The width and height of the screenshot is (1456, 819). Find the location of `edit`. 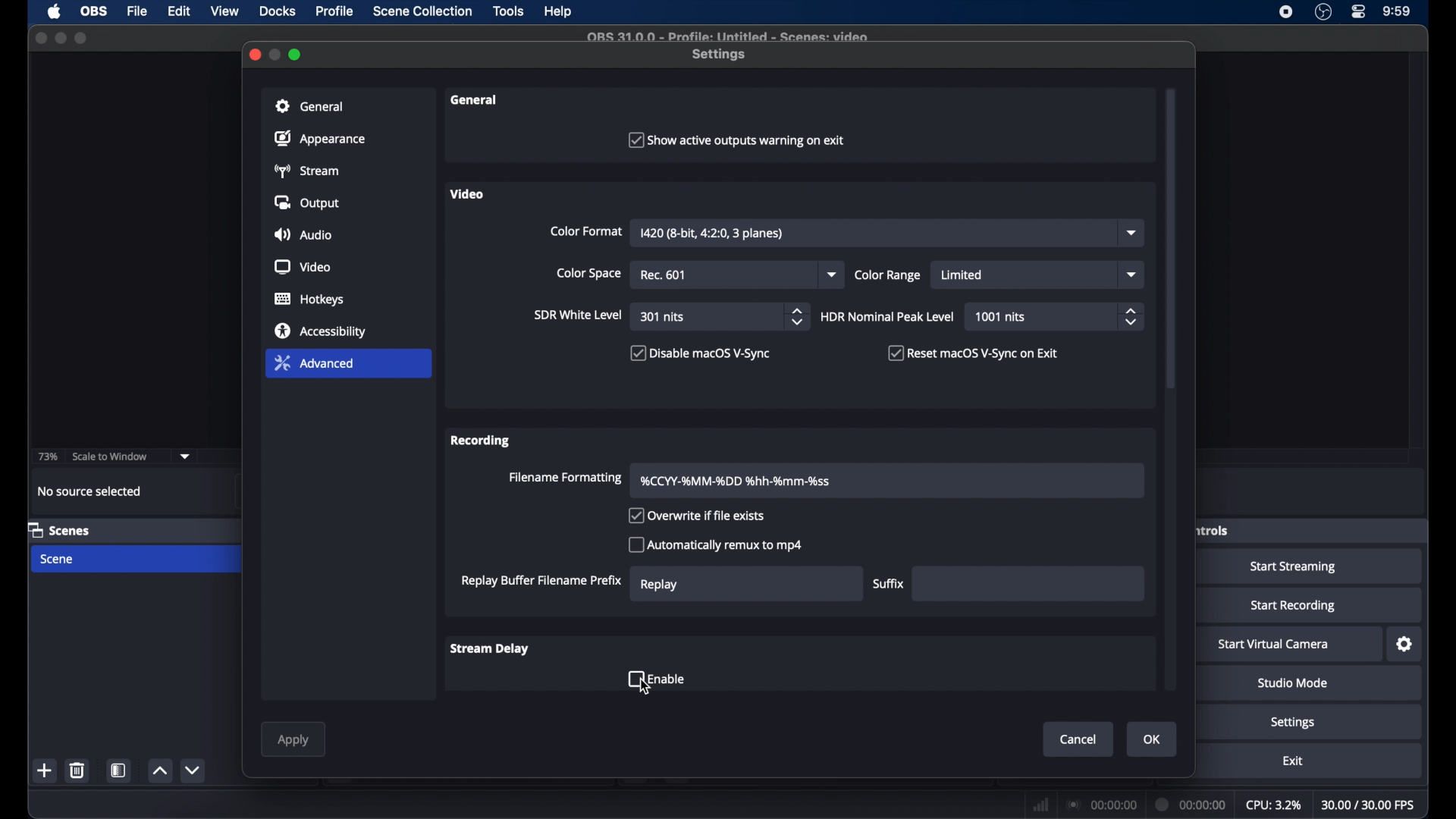

edit is located at coordinates (179, 12).